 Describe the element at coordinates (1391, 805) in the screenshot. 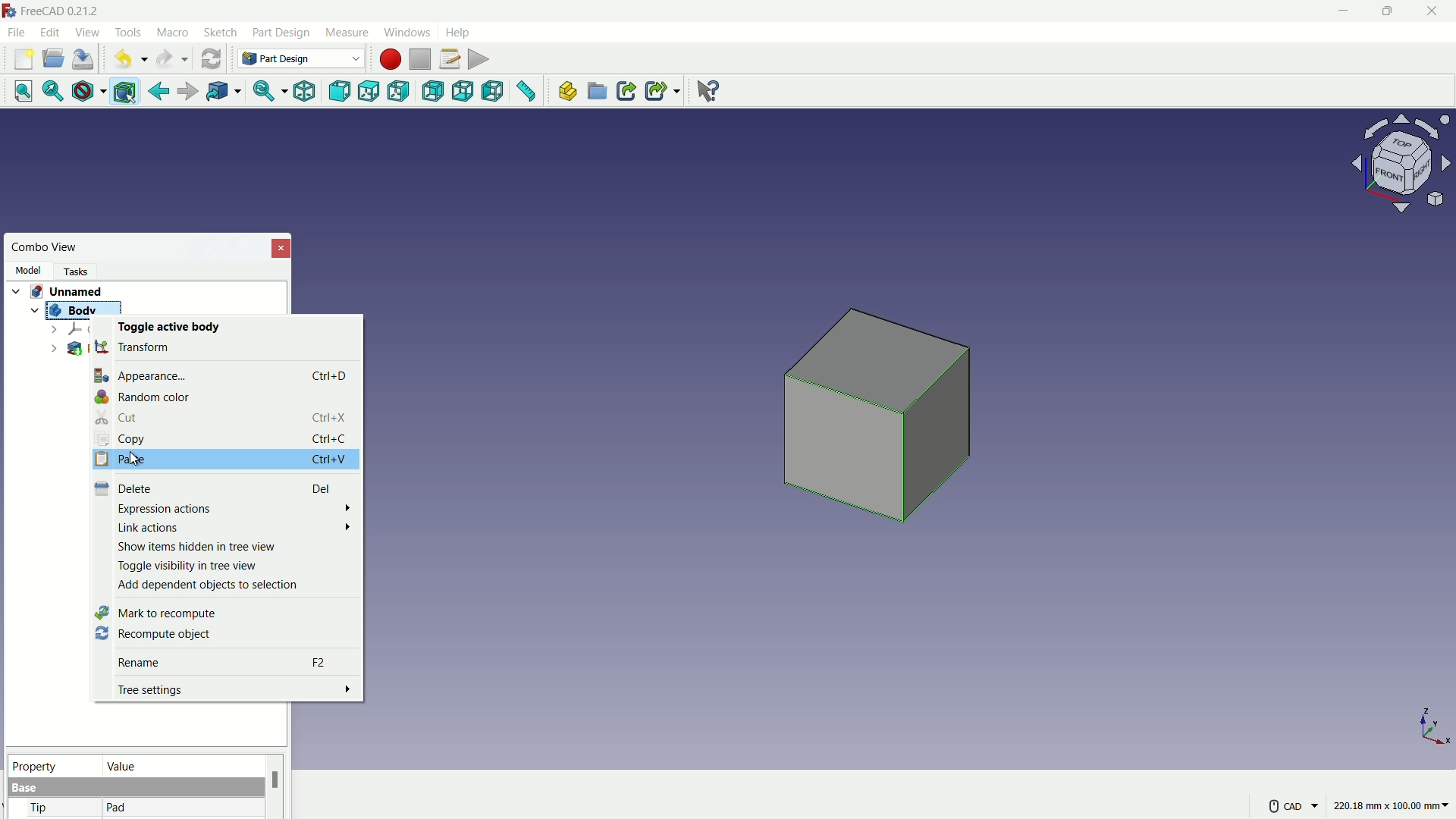

I see `220.18 mm x 100.00 mm~` at that location.